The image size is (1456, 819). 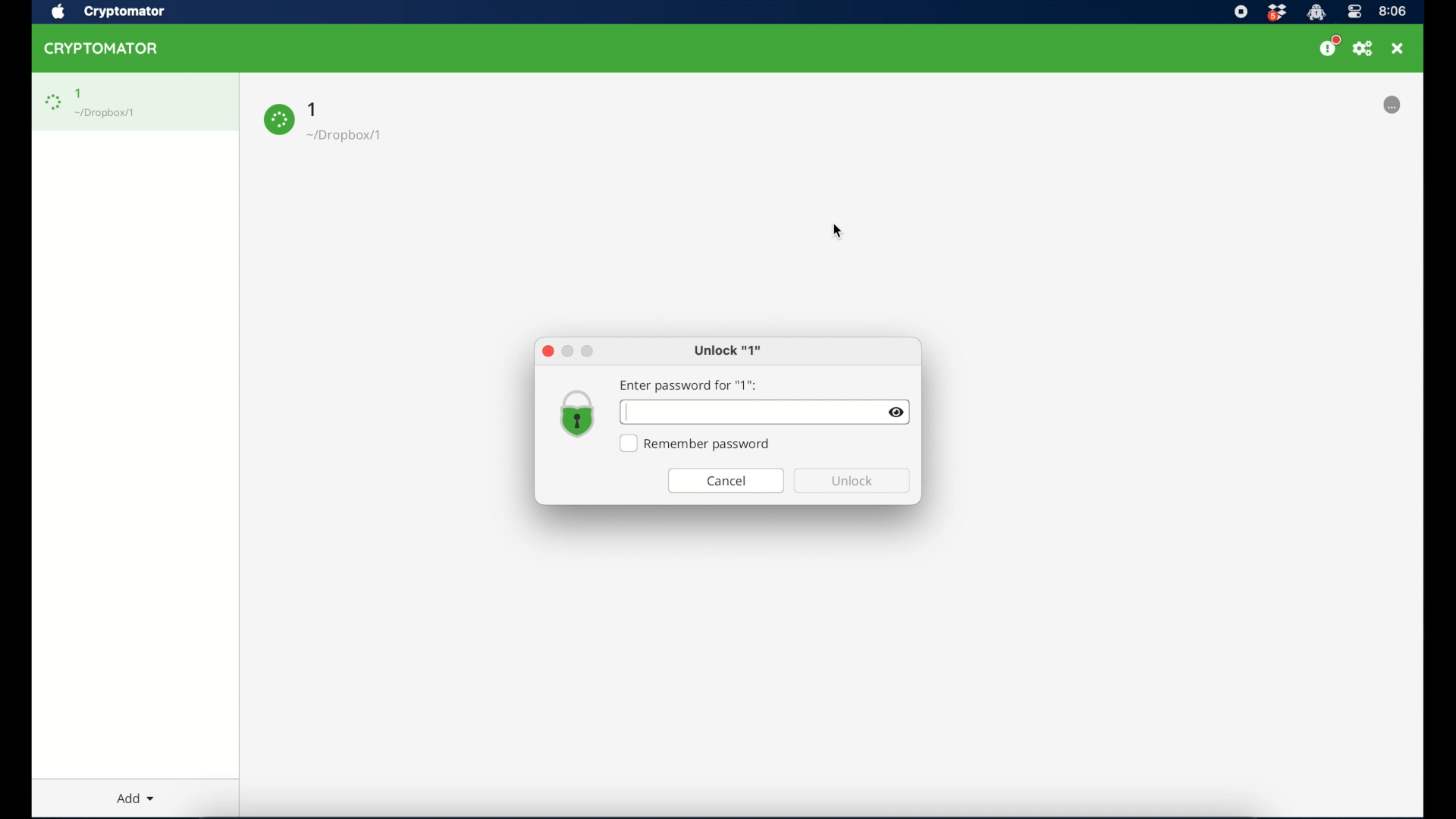 I want to click on support us, so click(x=1329, y=46).